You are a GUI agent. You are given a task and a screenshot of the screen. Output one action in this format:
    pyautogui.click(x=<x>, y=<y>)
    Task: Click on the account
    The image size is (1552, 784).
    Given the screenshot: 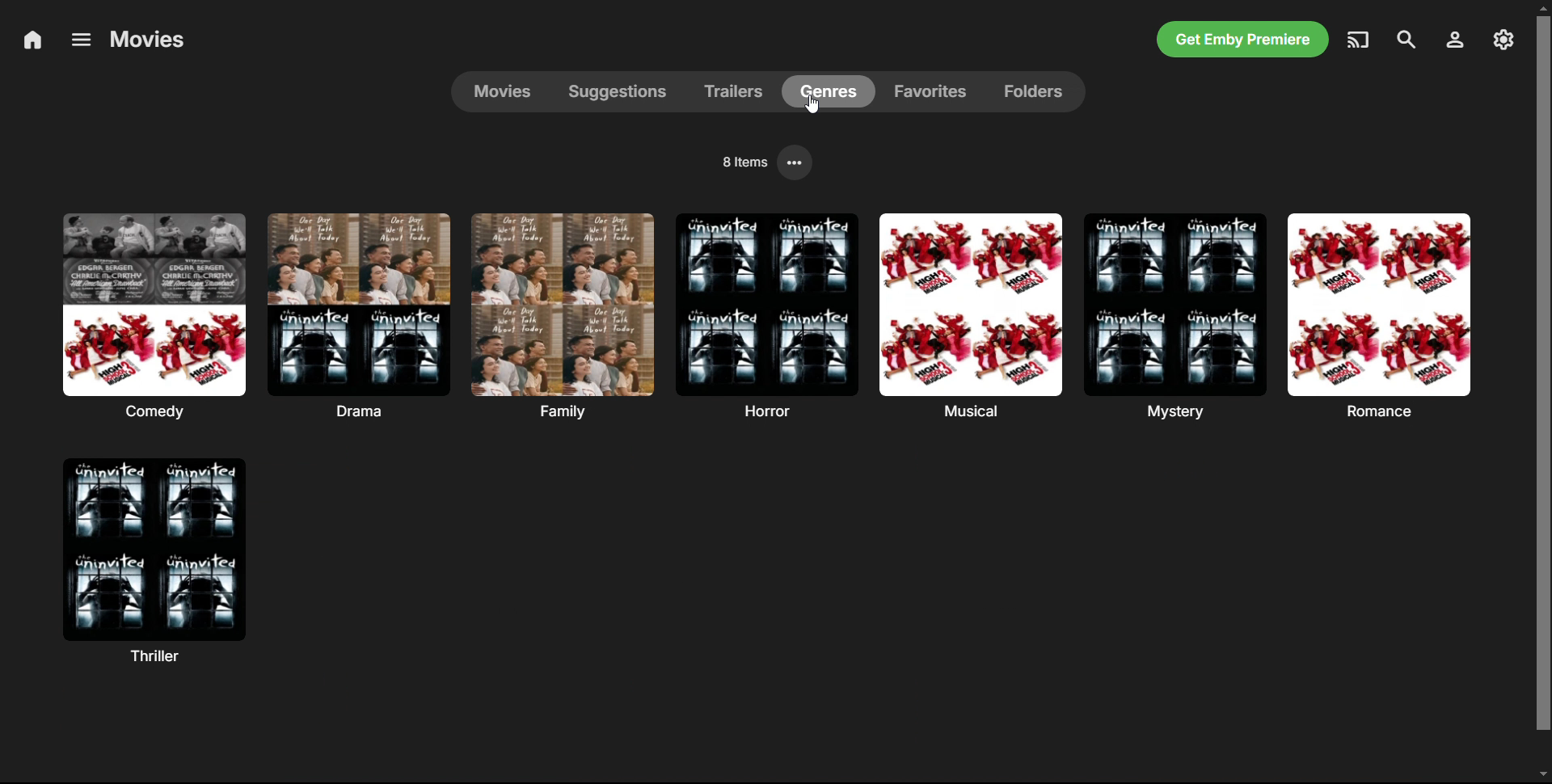 What is the action you would take?
    pyautogui.click(x=1453, y=40)
    